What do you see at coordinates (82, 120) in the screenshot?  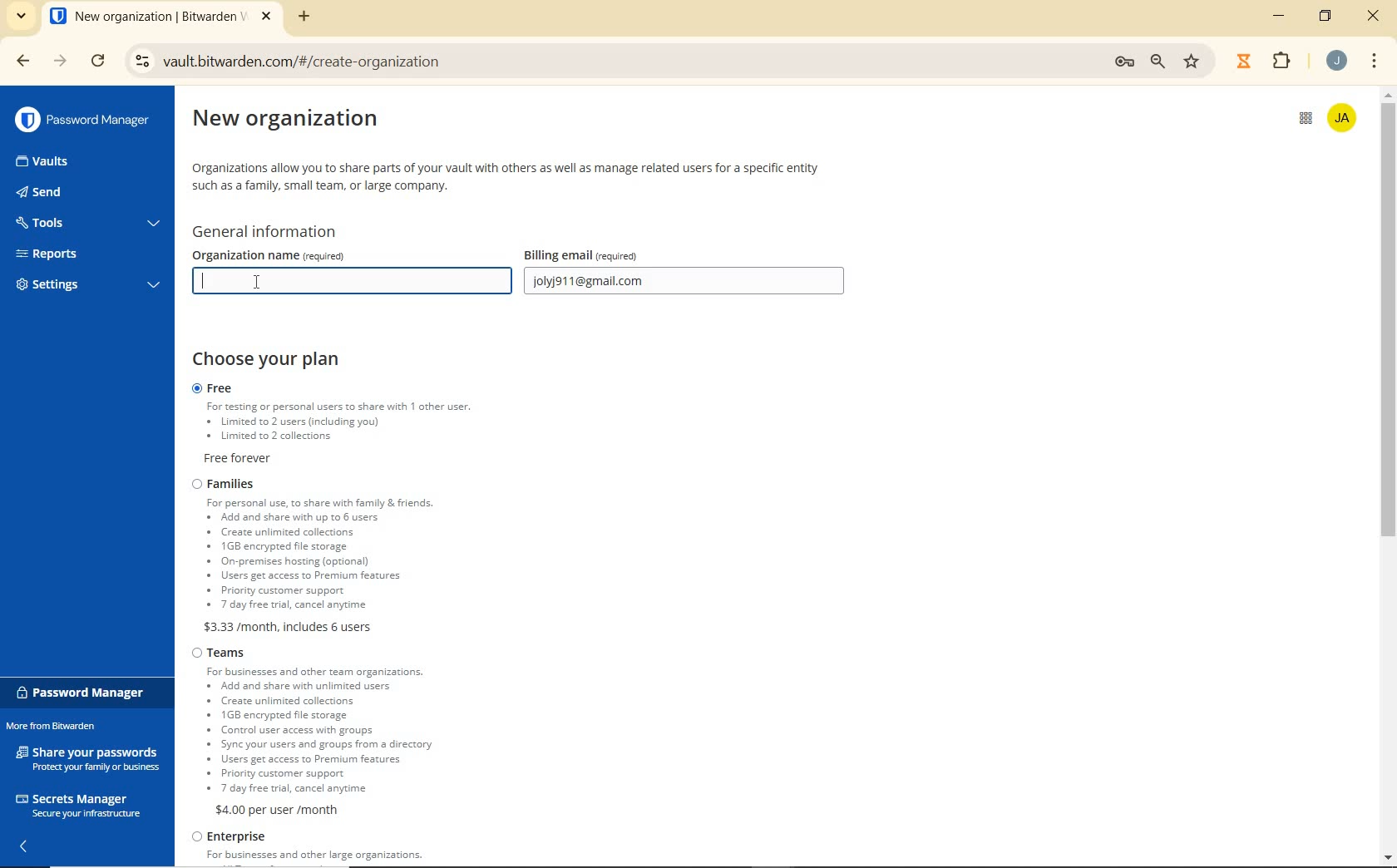 I see `password manager` at bounding box center [82, 120].